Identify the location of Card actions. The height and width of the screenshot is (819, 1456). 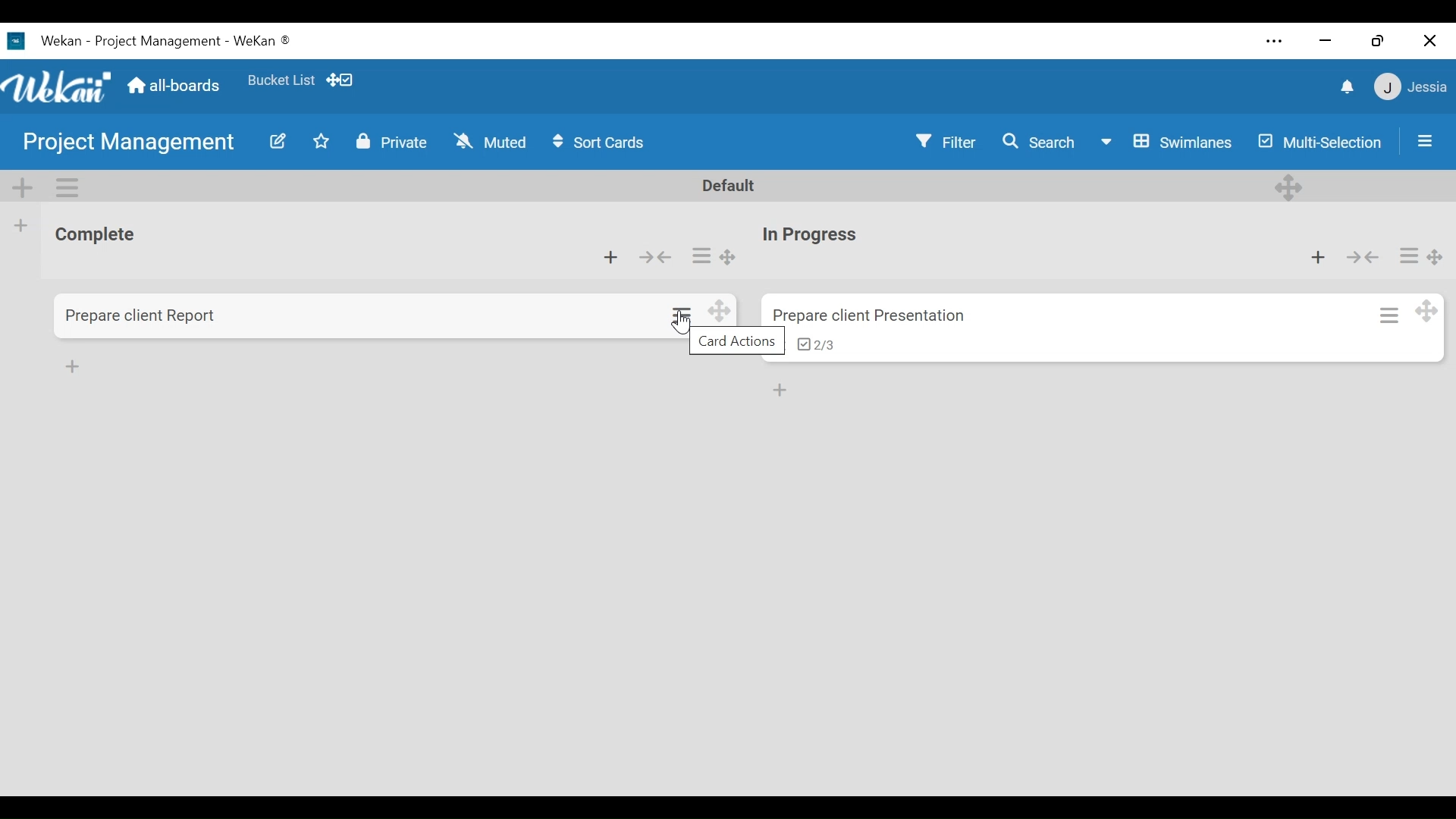
(1389, 314).